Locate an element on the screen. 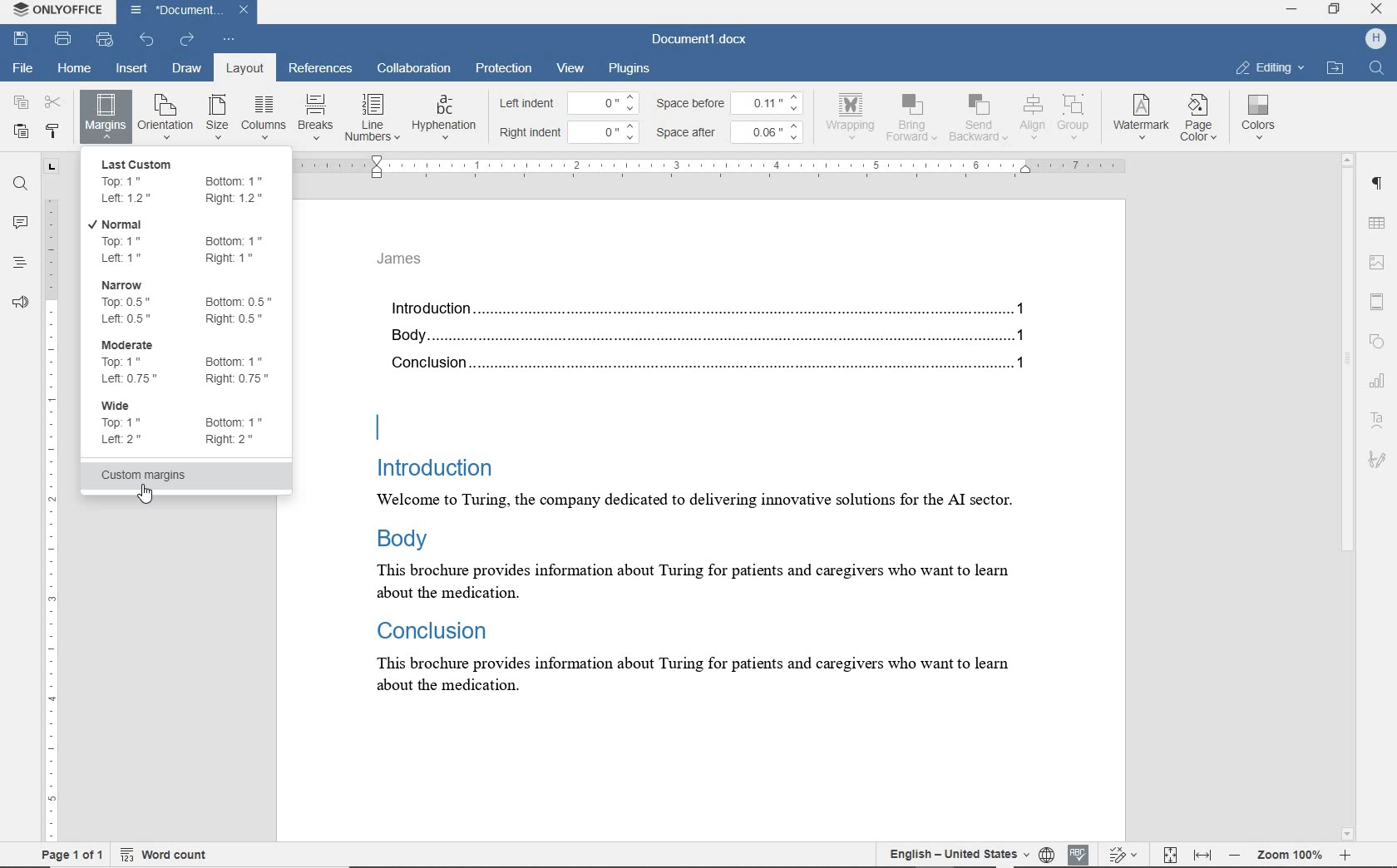 Image resolution: width=1397 pixels, height=868 pixels. word count is located at coordinates (164, 855).